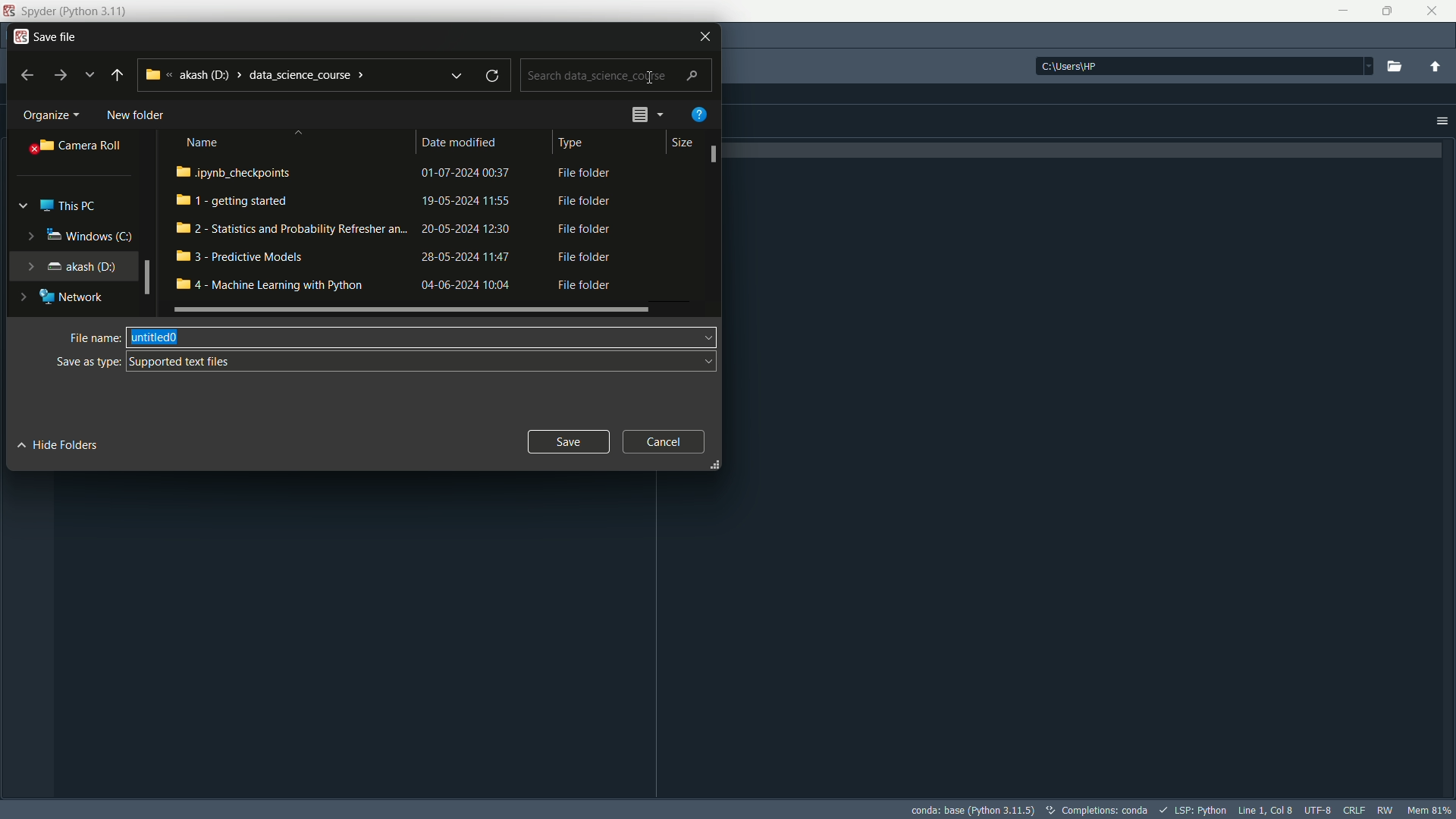 This screenshot has height=819, width=1456. Describe the element at coordinates (82, 267) in the screenshot. I see `akash(D:)` at that location.